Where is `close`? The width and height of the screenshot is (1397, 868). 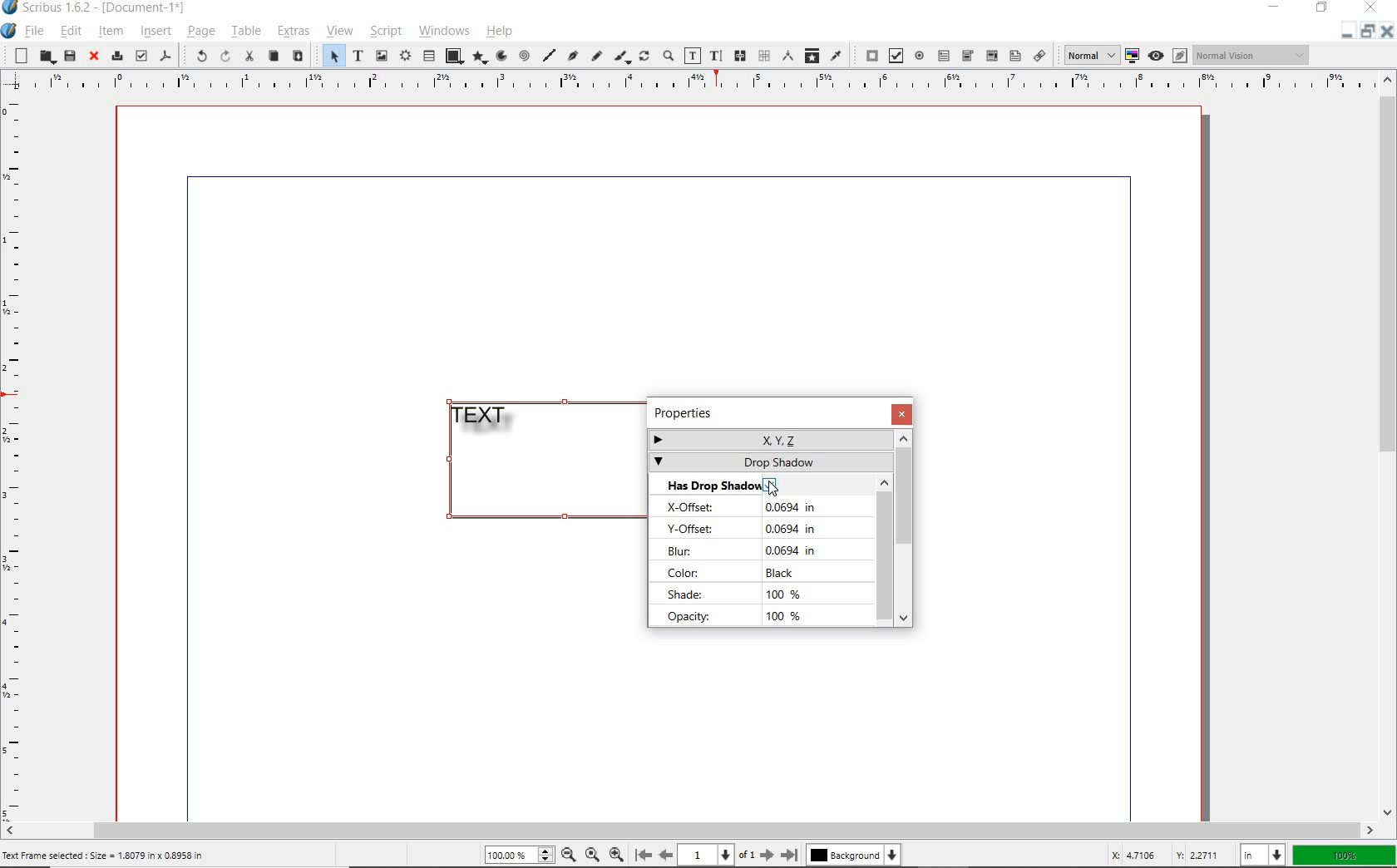
close is located at coordinates (94, 57).